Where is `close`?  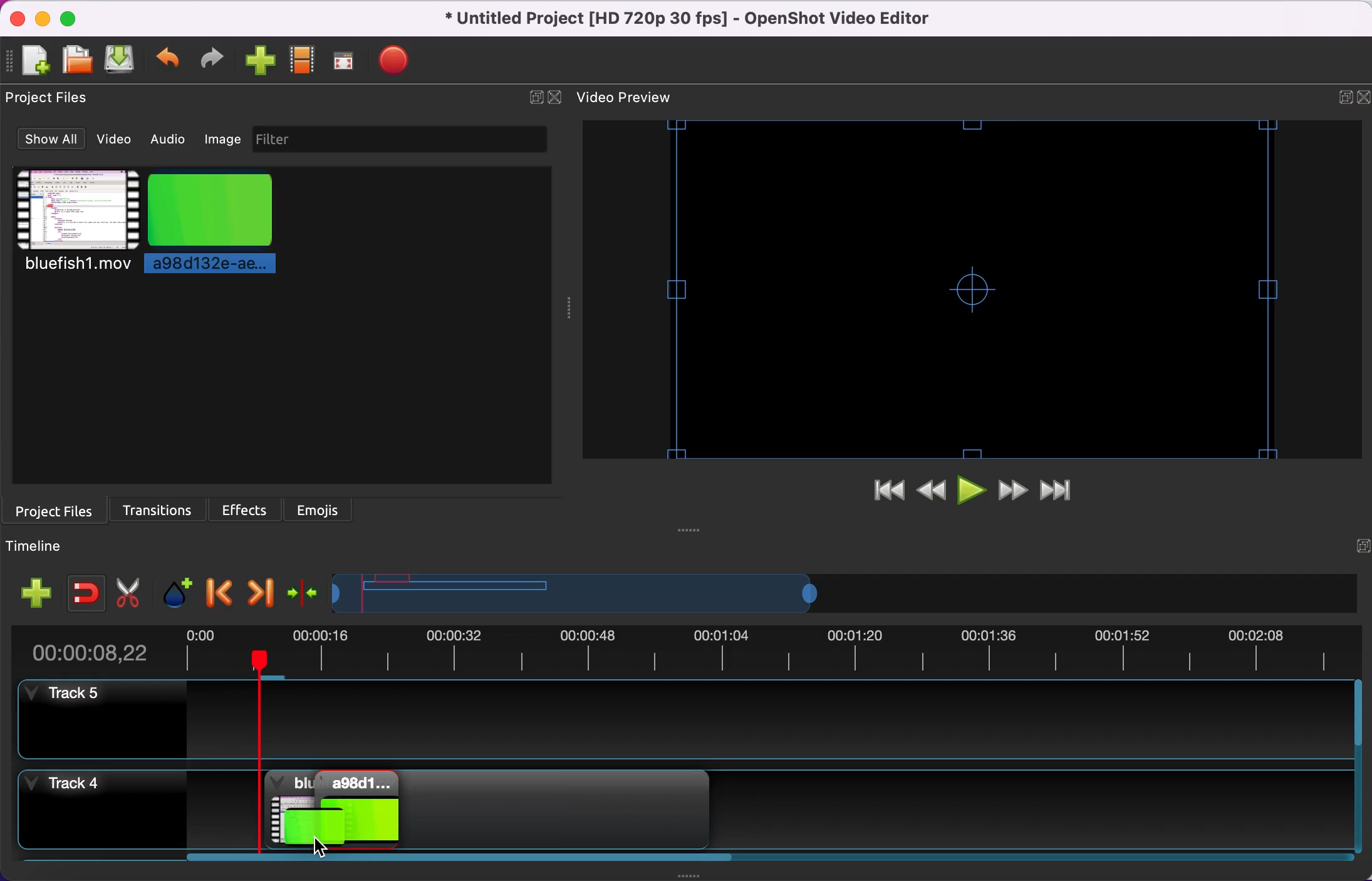 close is located at coordinates (558, 98).